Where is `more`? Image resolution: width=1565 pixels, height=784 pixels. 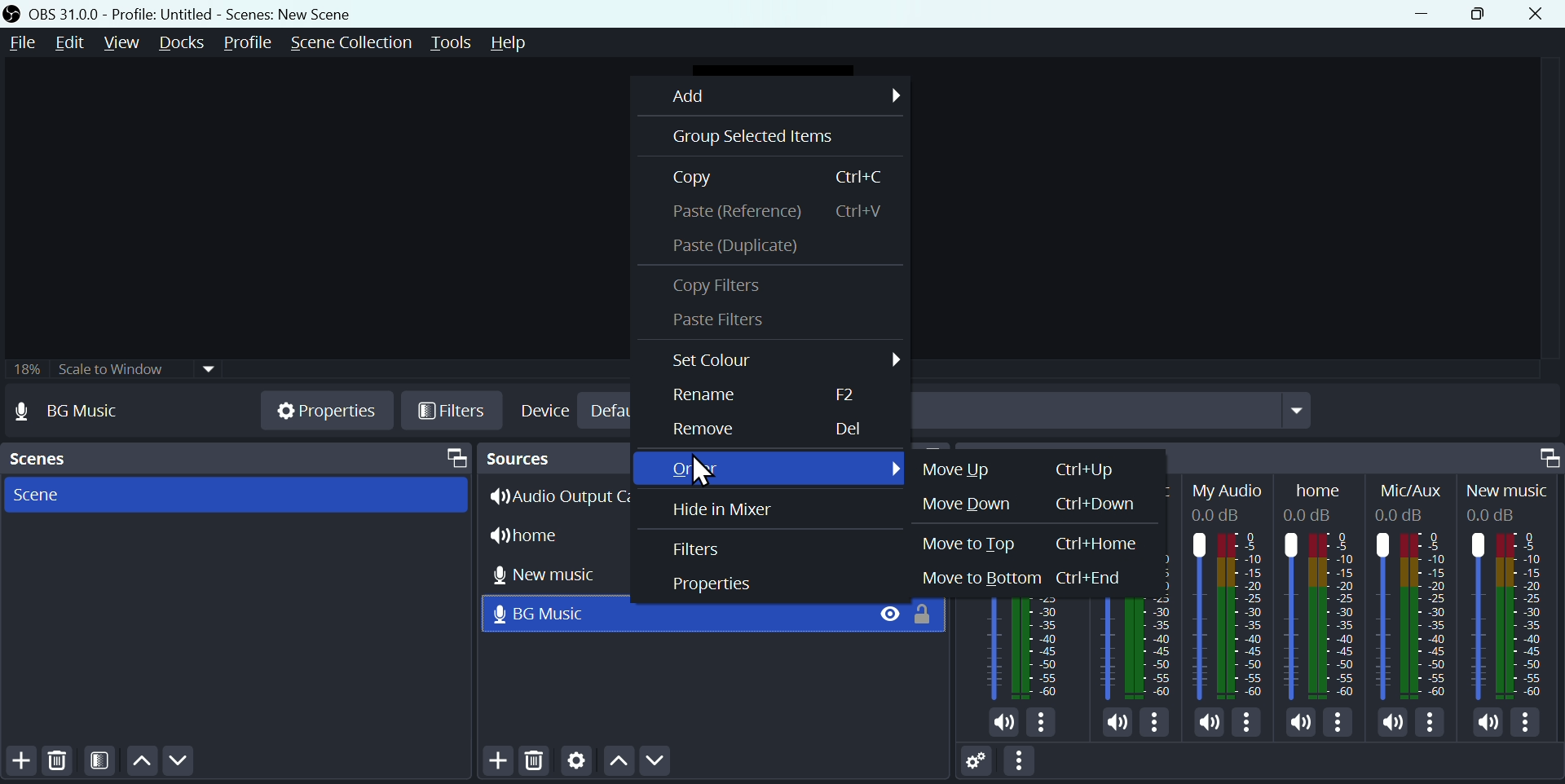
more is located at coordinates (1532, 724).